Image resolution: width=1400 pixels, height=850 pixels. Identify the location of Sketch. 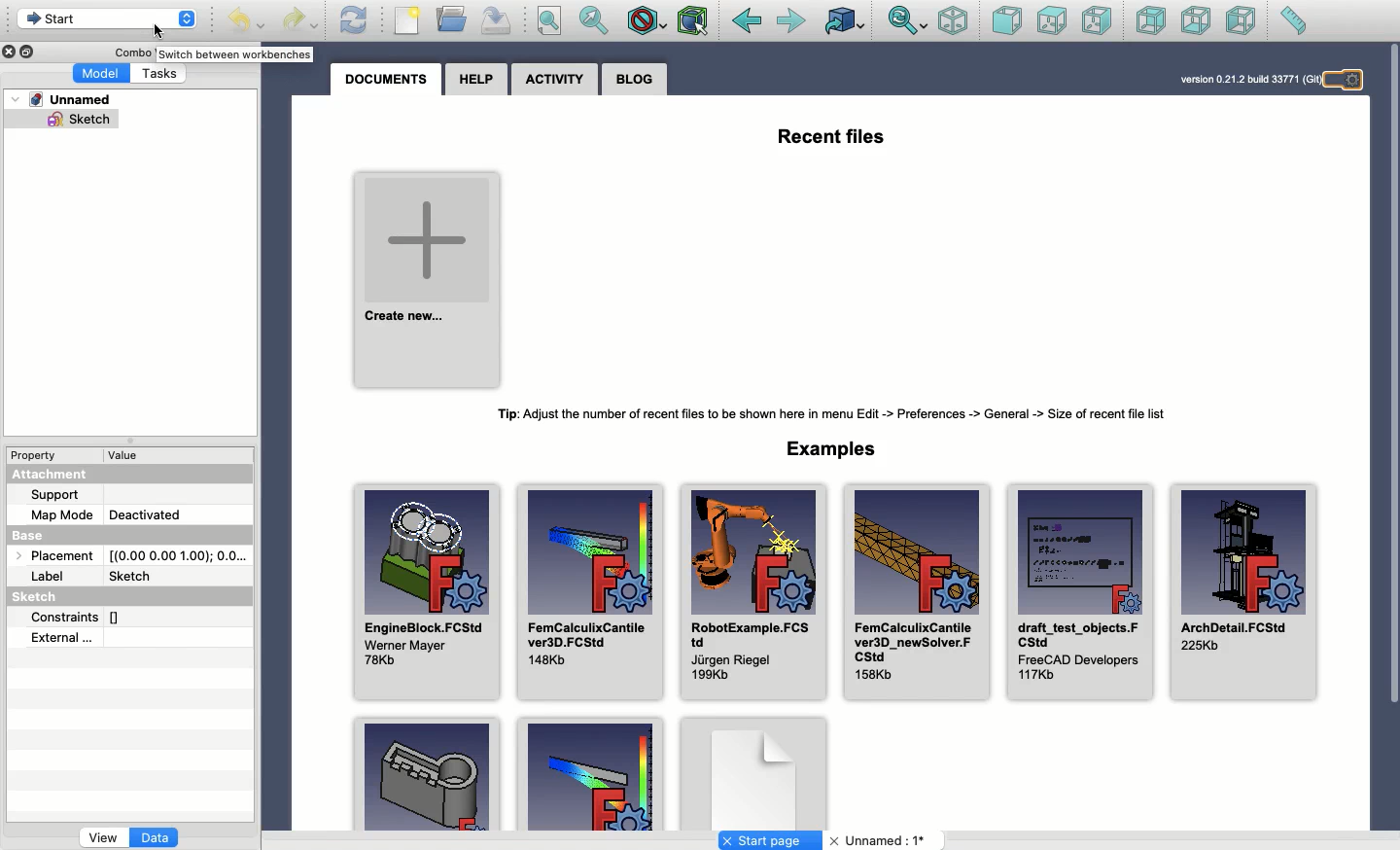
(38, 596).